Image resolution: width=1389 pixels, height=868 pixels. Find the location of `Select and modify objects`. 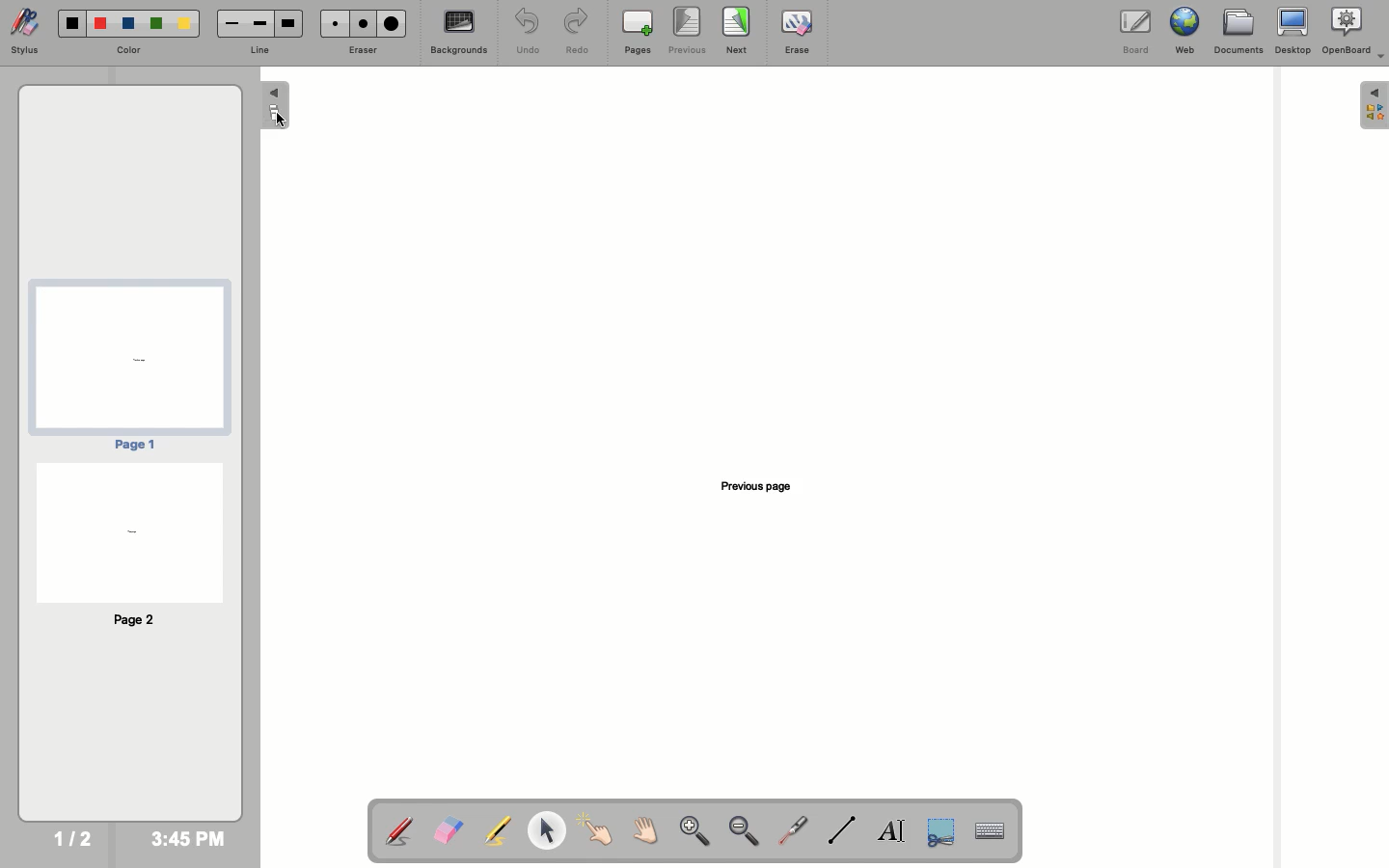

Select and modify objects is located at coordinates (546, 830).